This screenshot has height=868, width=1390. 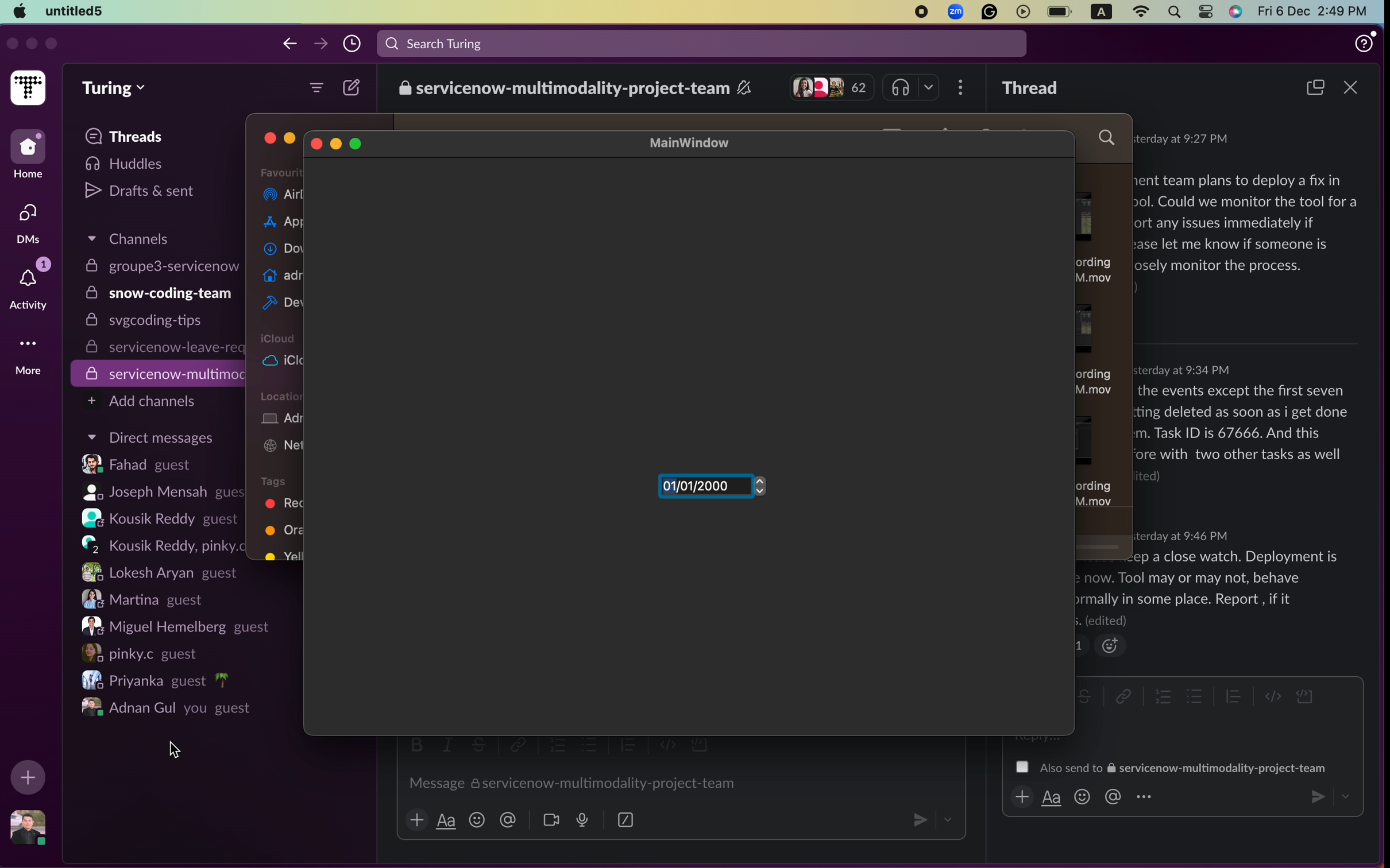 What do you see at coordinates (569, 782) in the screenshot?
I see `message` at bounding box center [569, 782].